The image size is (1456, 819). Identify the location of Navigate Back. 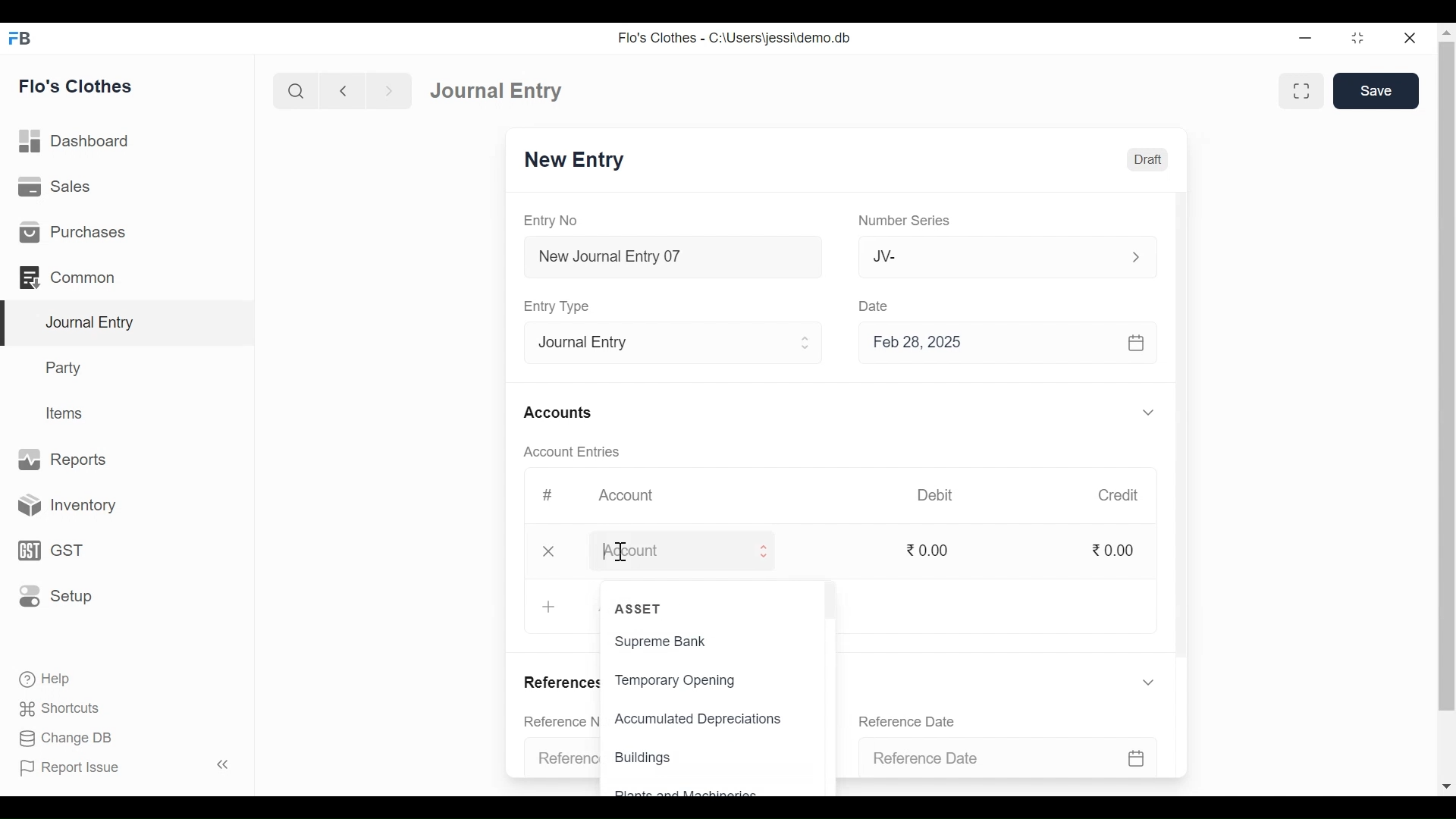
(342, 91).